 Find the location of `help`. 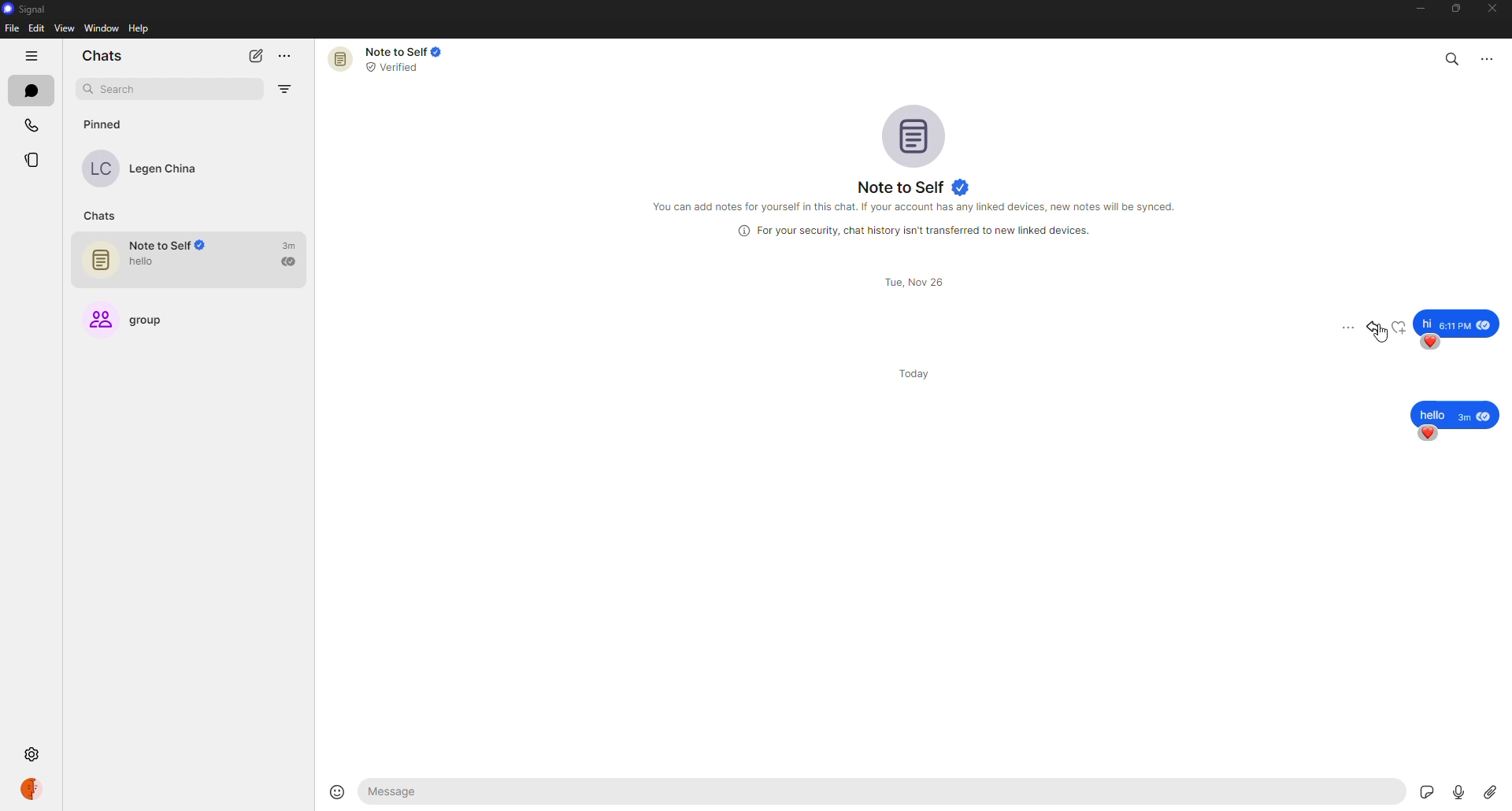

help is located at coordinates (138, 29).